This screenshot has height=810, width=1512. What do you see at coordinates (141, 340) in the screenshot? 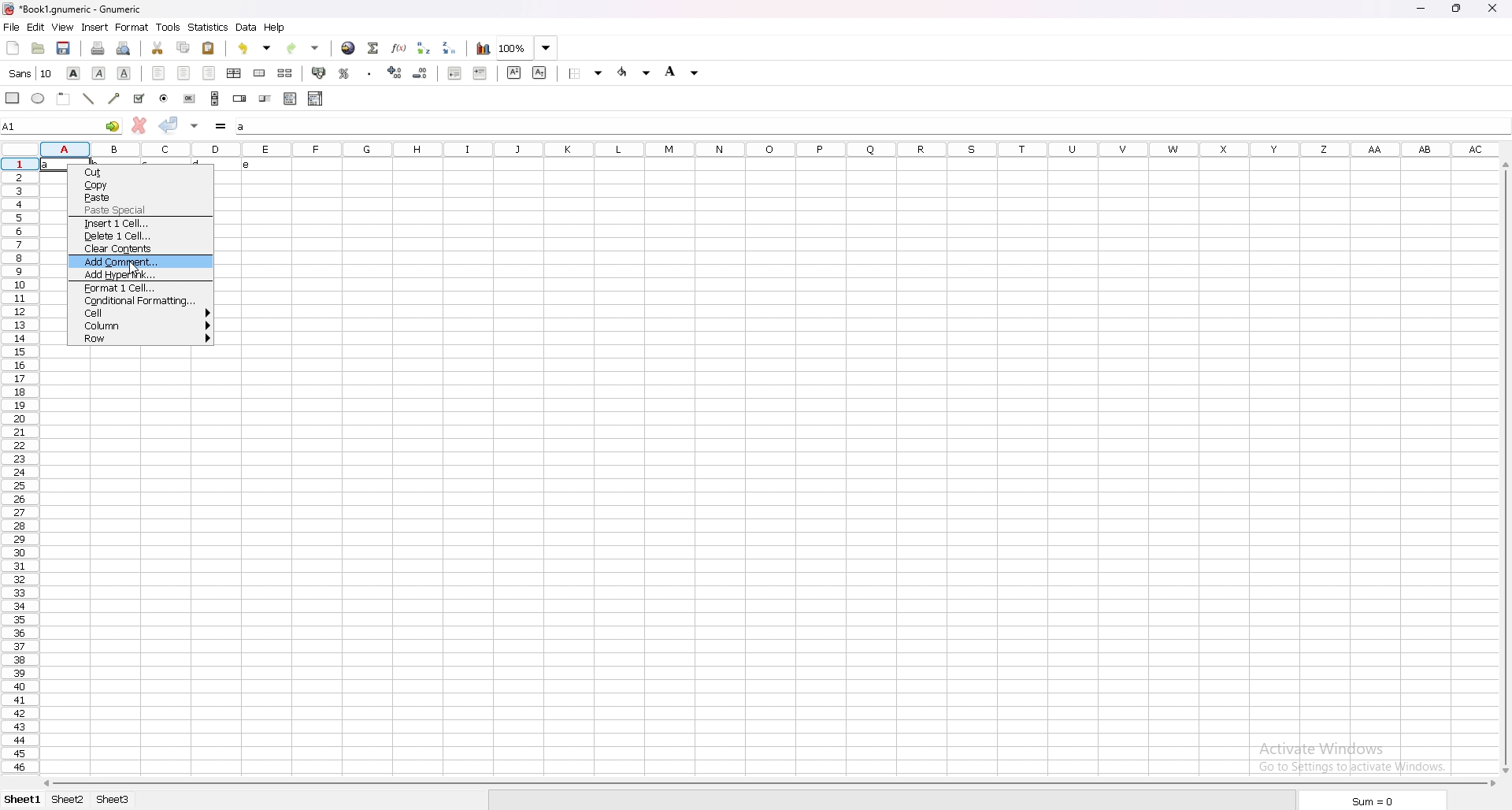
I see `row` at bounding box center [141, 340].